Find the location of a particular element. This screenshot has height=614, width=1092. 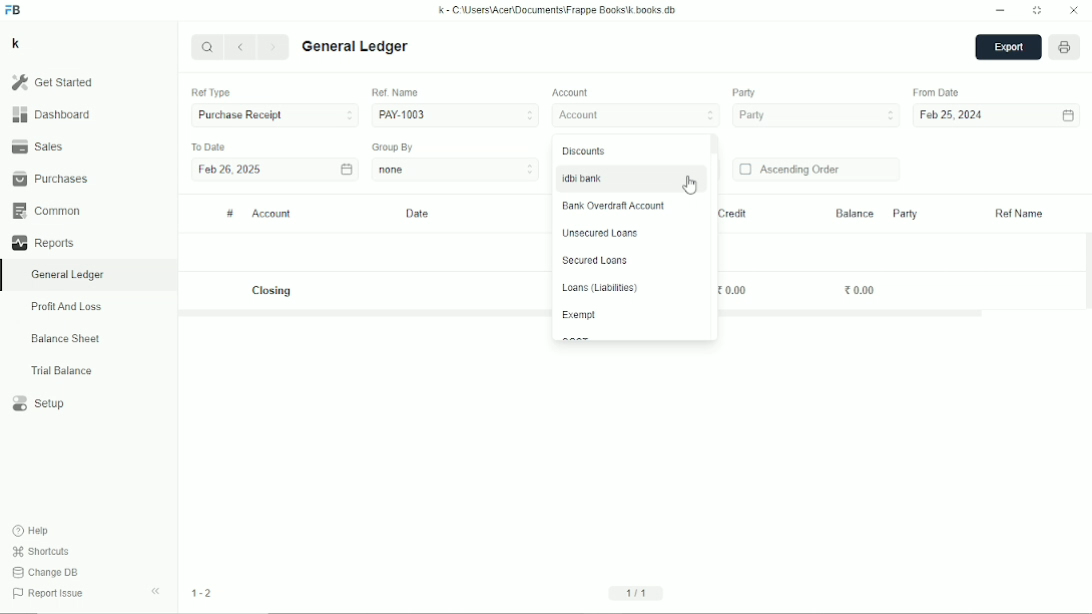

Secured loans is located at coordinates (594, 261).